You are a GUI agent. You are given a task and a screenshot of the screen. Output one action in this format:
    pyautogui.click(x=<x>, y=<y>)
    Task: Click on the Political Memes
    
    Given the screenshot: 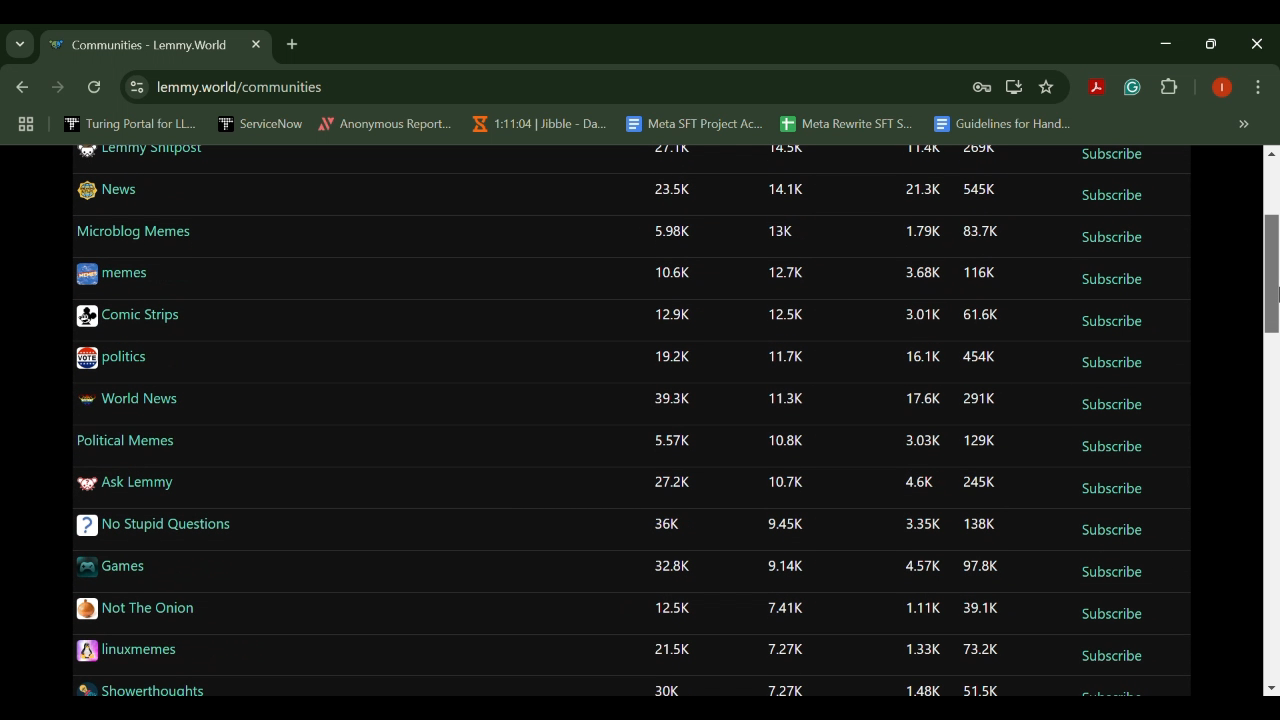 What is the action you would take?
    pyautogui.click(x=126, y=440)
    